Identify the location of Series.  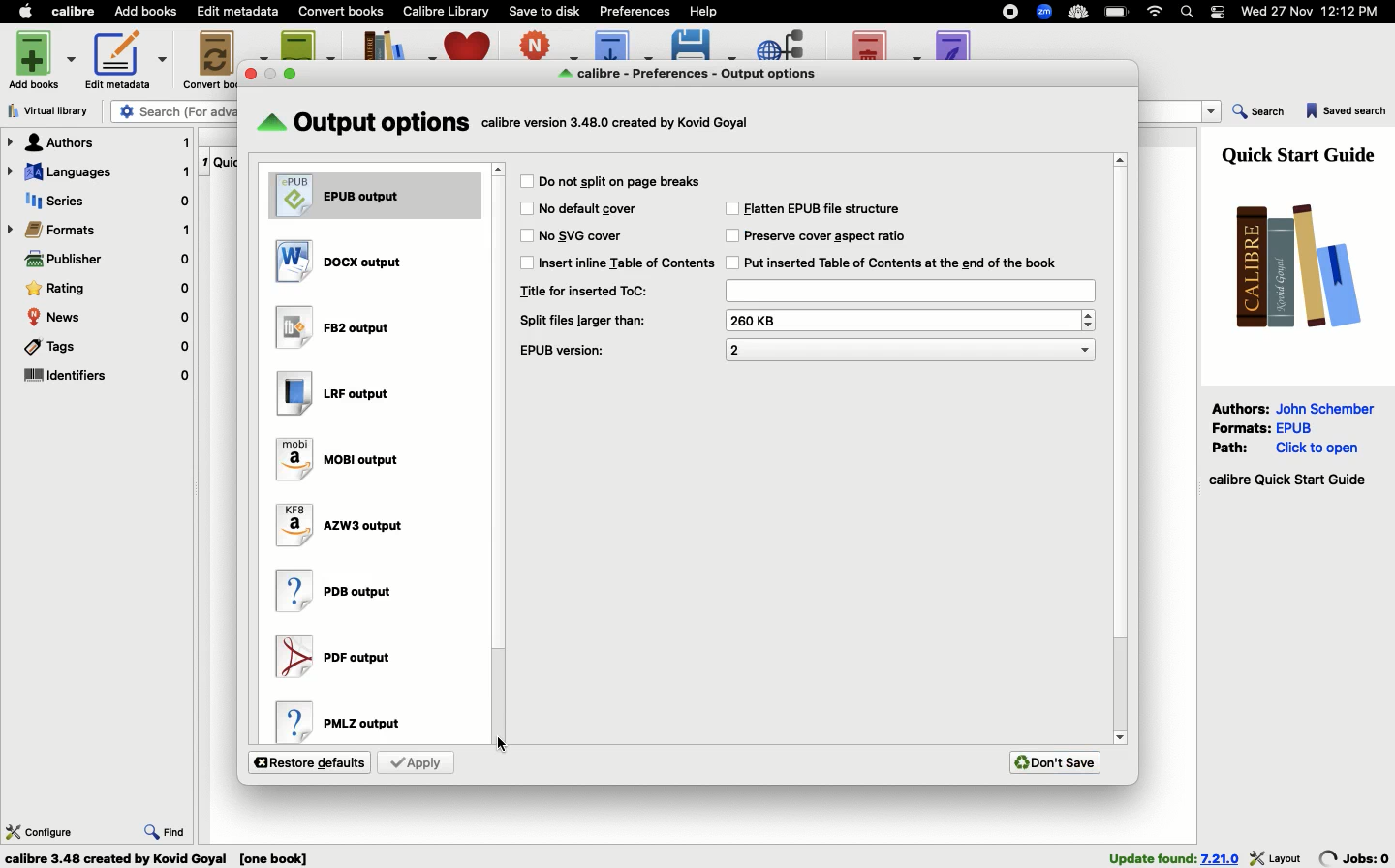
(104, 202).